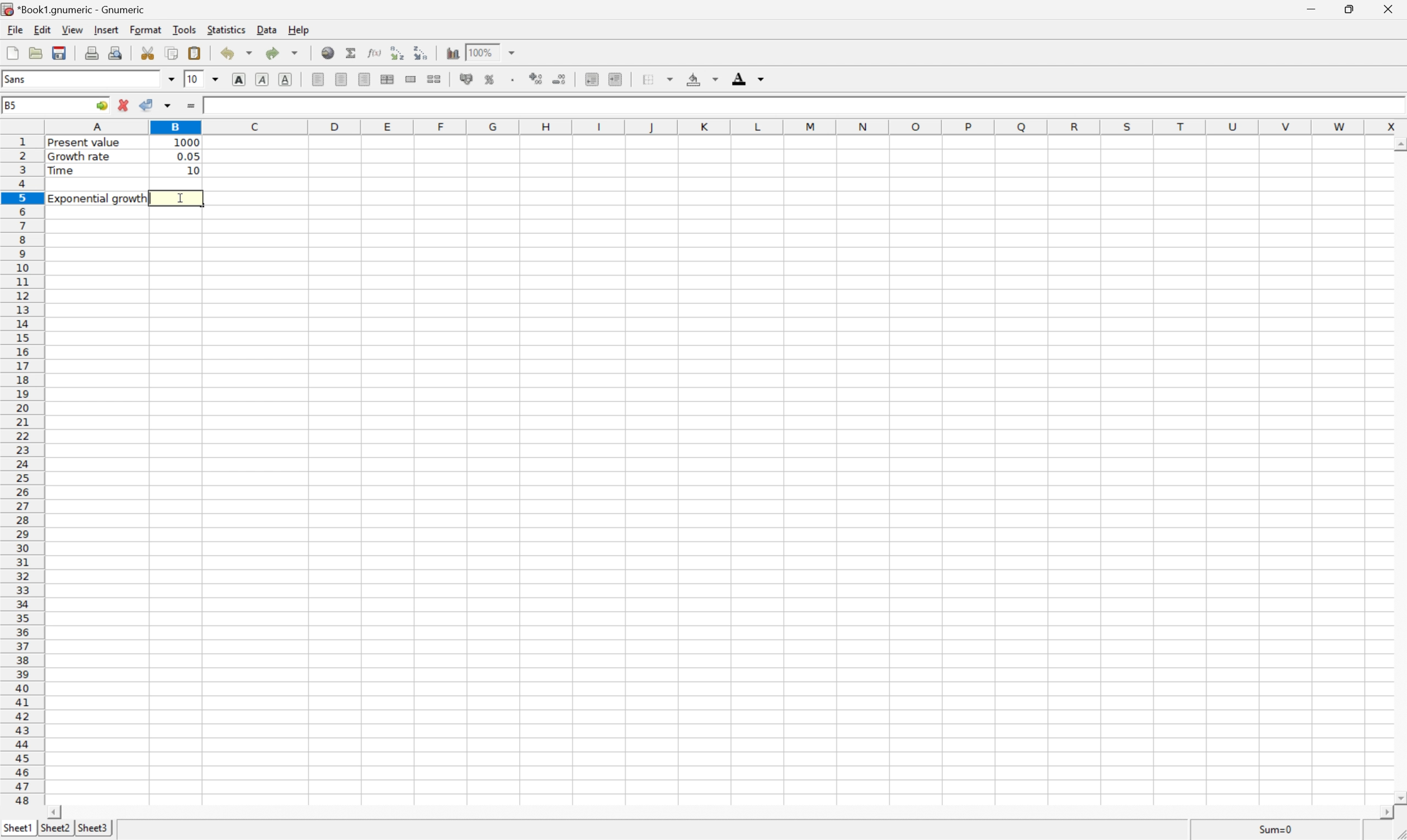 The image size is (1407, 840). Describe the element at coordinates (491, 80) in the screenshot. I see `Format the selection as percentage` at that location.